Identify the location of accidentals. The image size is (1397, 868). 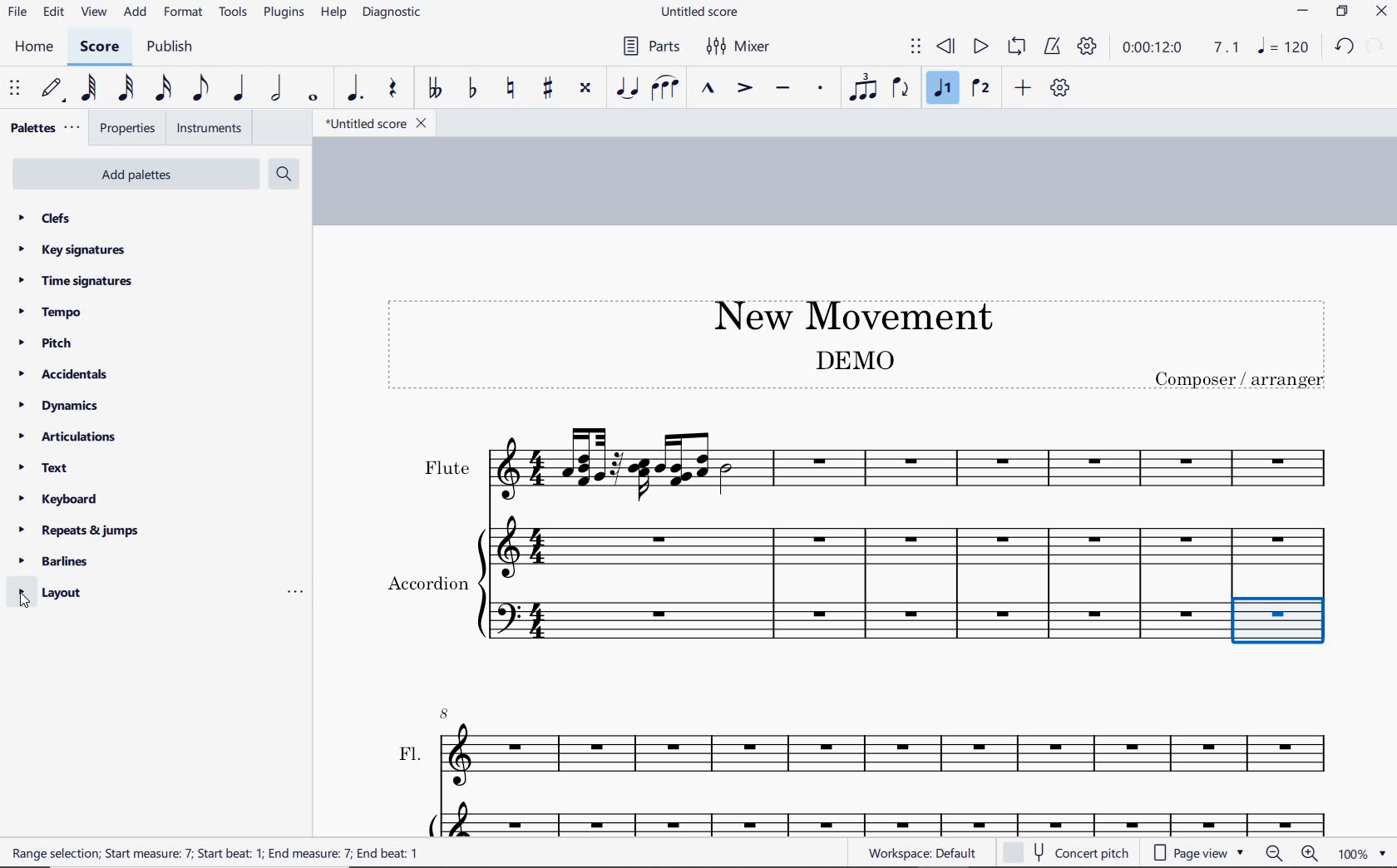
(66, 373).